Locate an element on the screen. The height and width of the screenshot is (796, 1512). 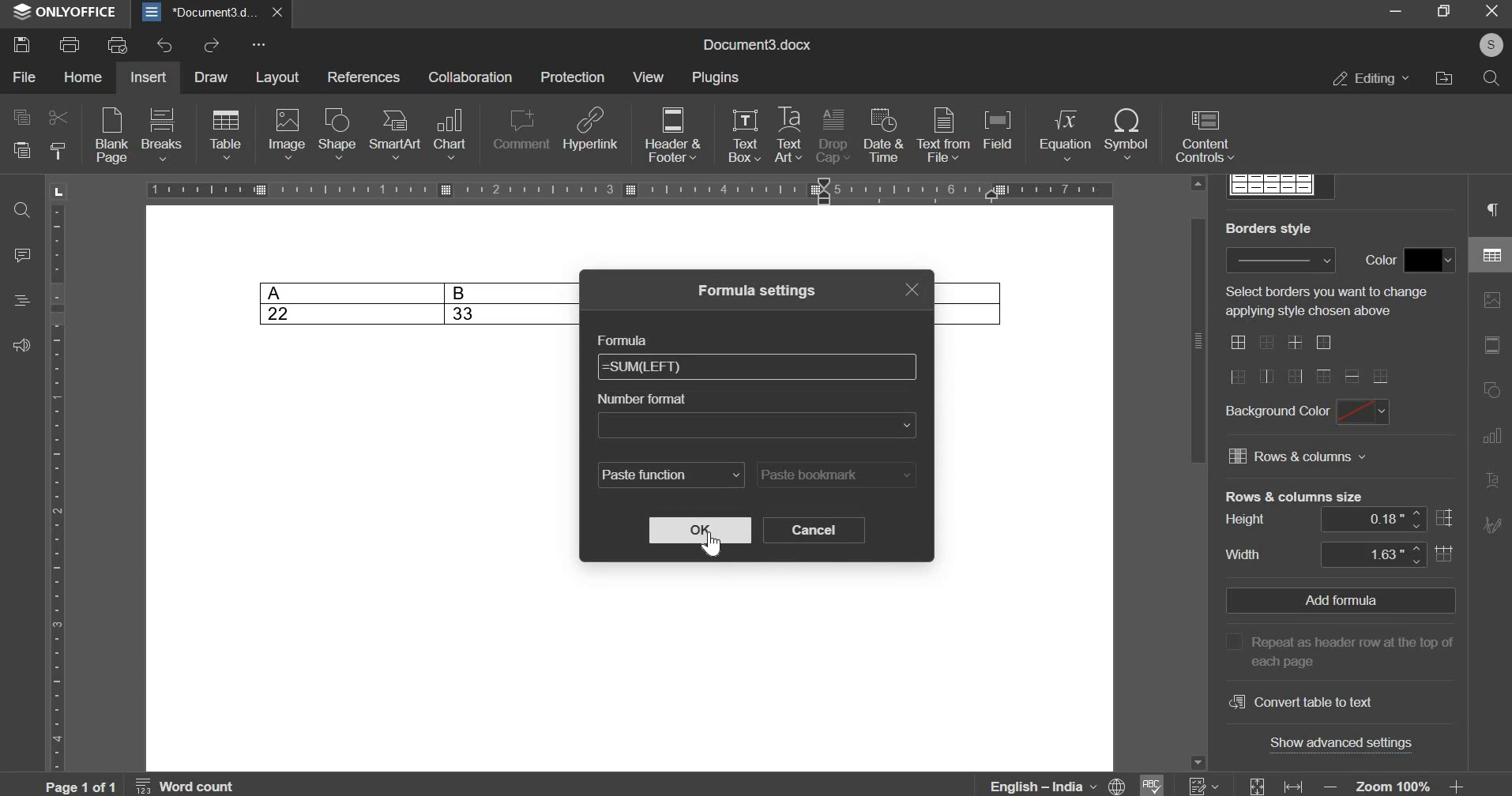
layout is located at coordinates (280, 77).